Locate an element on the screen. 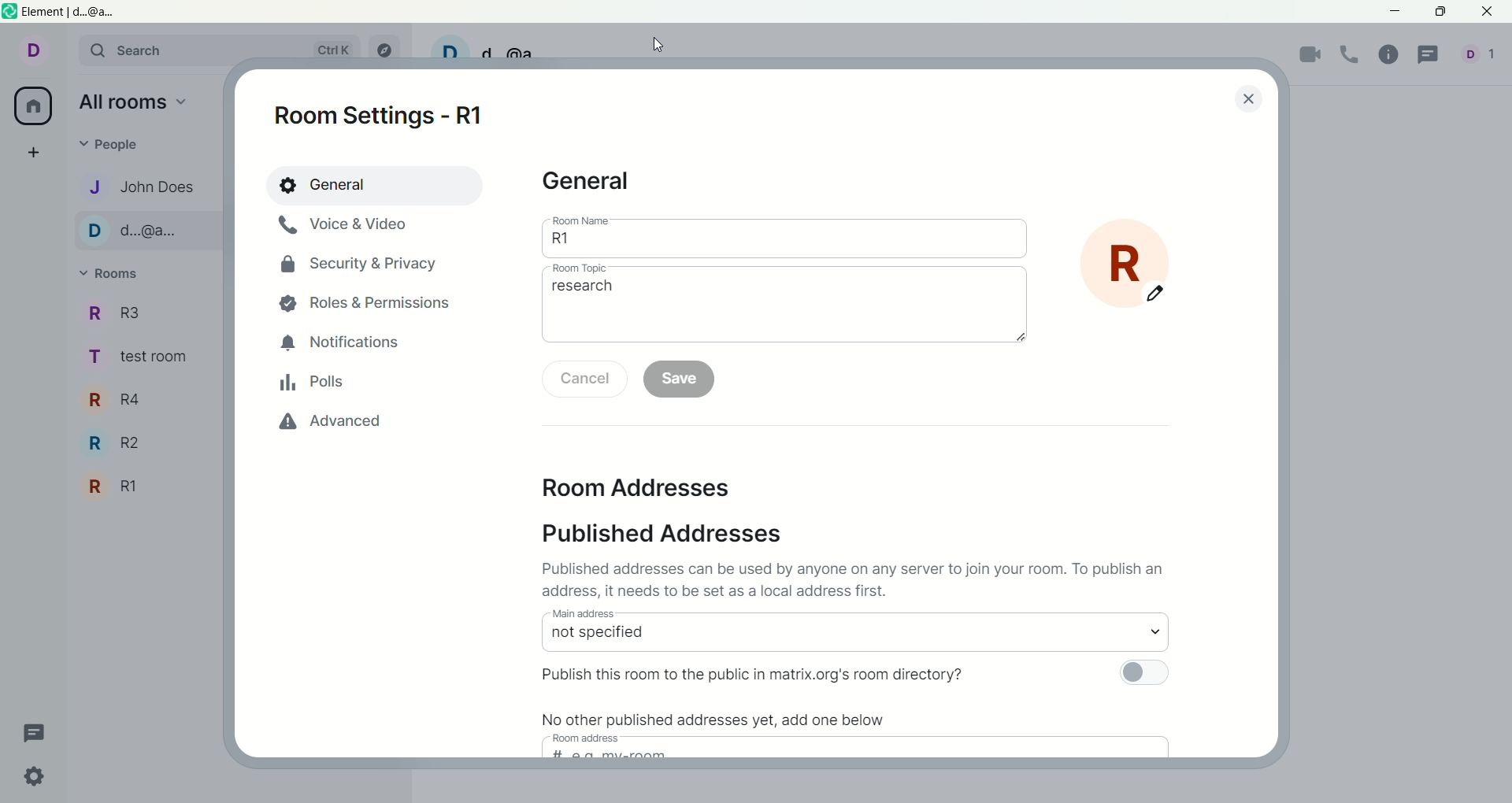 The width and height of the screenshot is (1512, 803). explore rooms is located at coordinates (389, 50).